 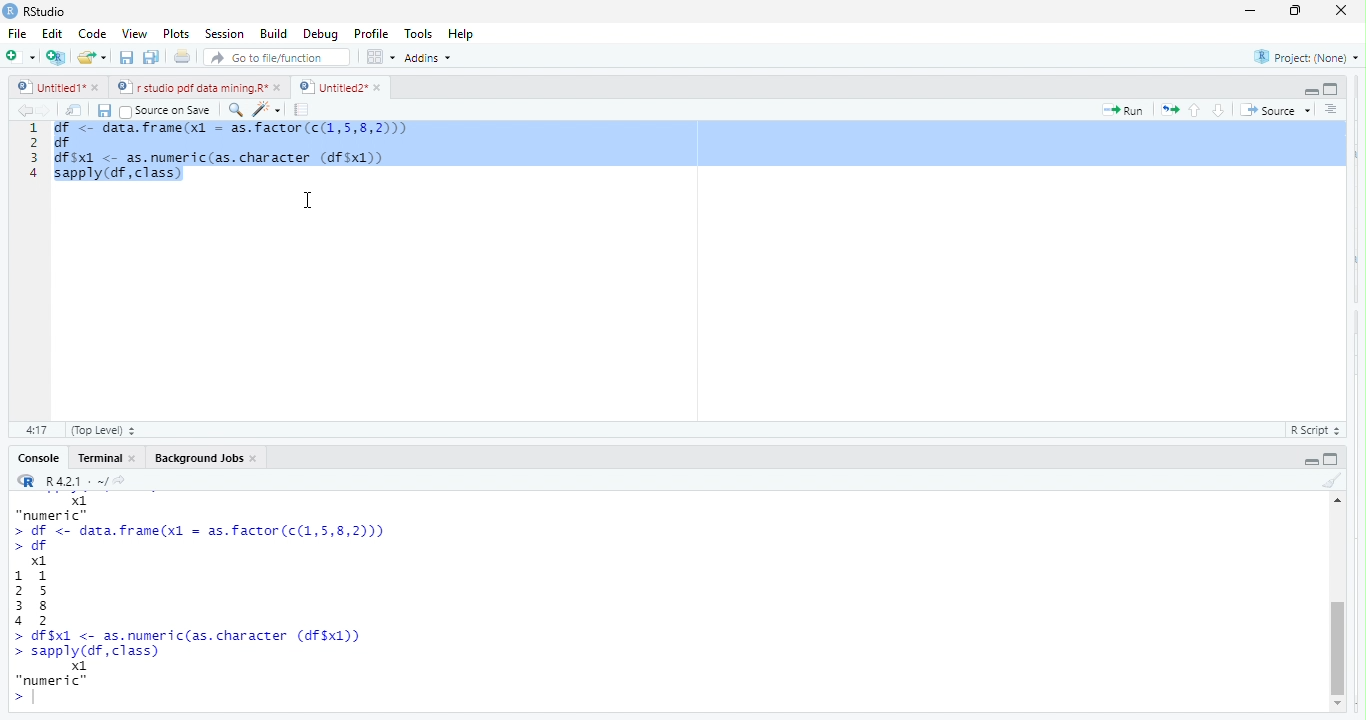 What do you see at coordinates (50, 87) in the screenshot?
I see ` Untitied1` at bounding box center [50, 87].